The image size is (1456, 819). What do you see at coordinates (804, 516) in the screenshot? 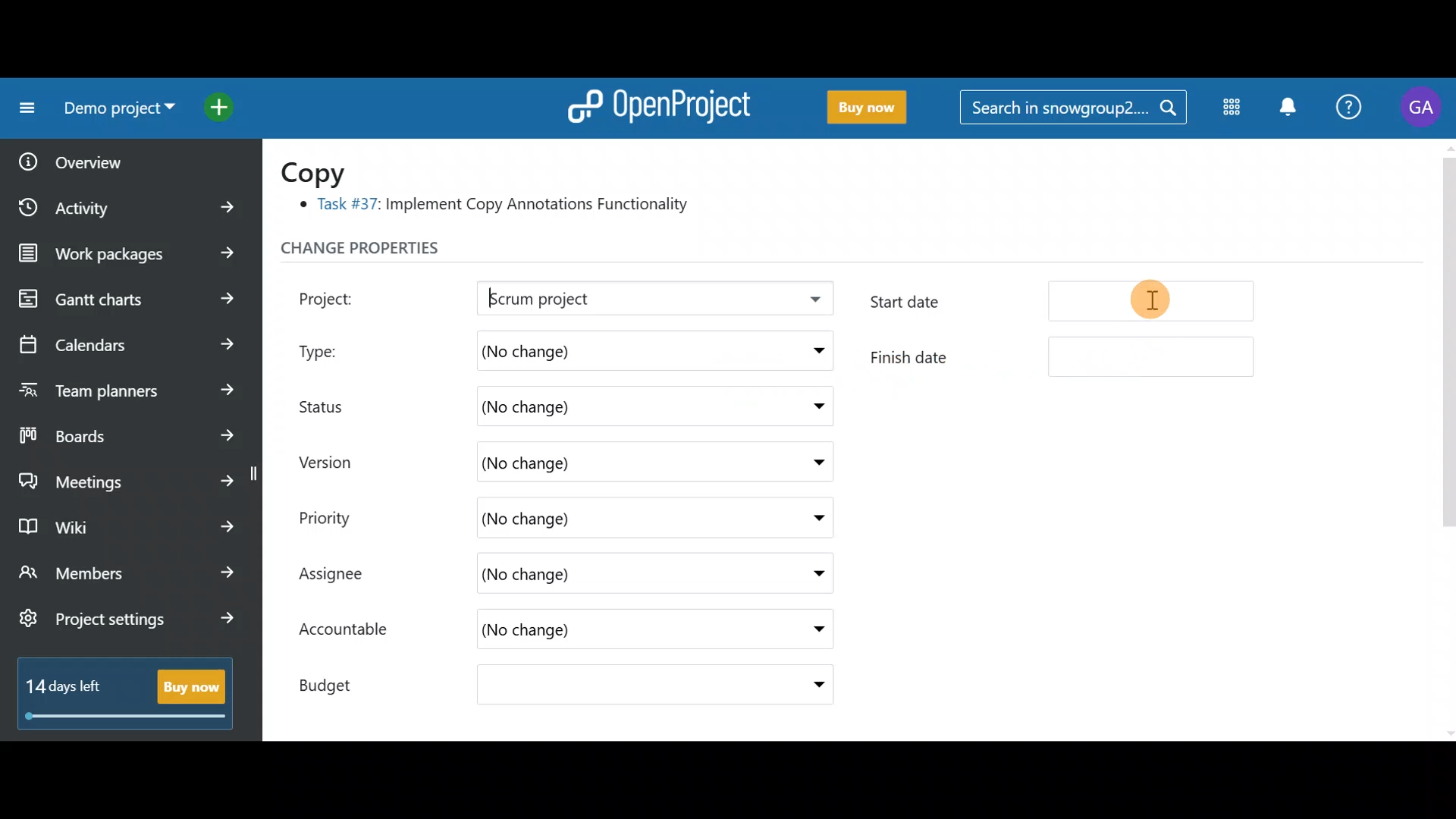
I see `Priority drop down` at bounding box center [804, 516].